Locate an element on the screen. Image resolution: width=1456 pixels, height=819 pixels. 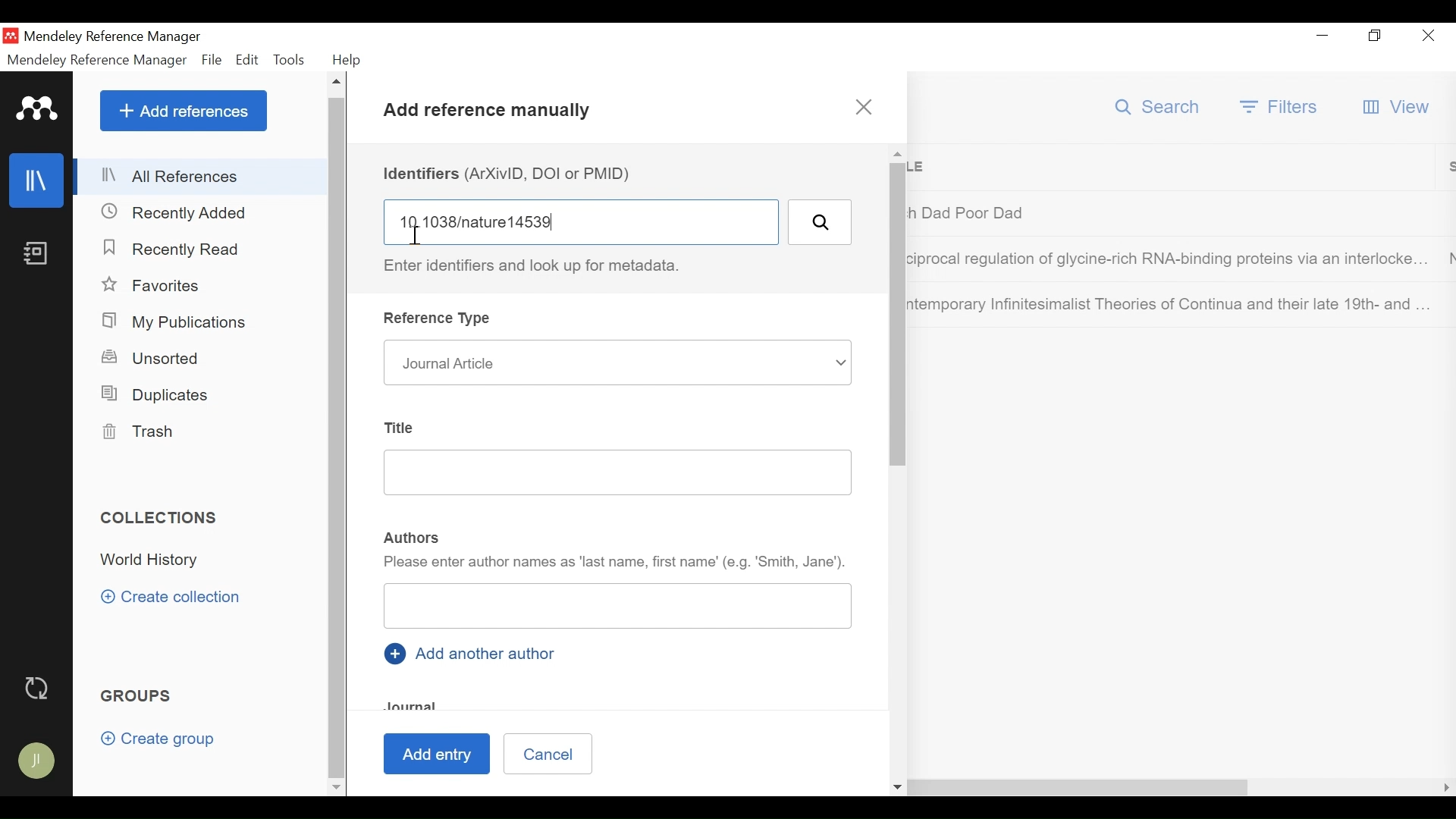
Sync is located at coordinates (36, 687).